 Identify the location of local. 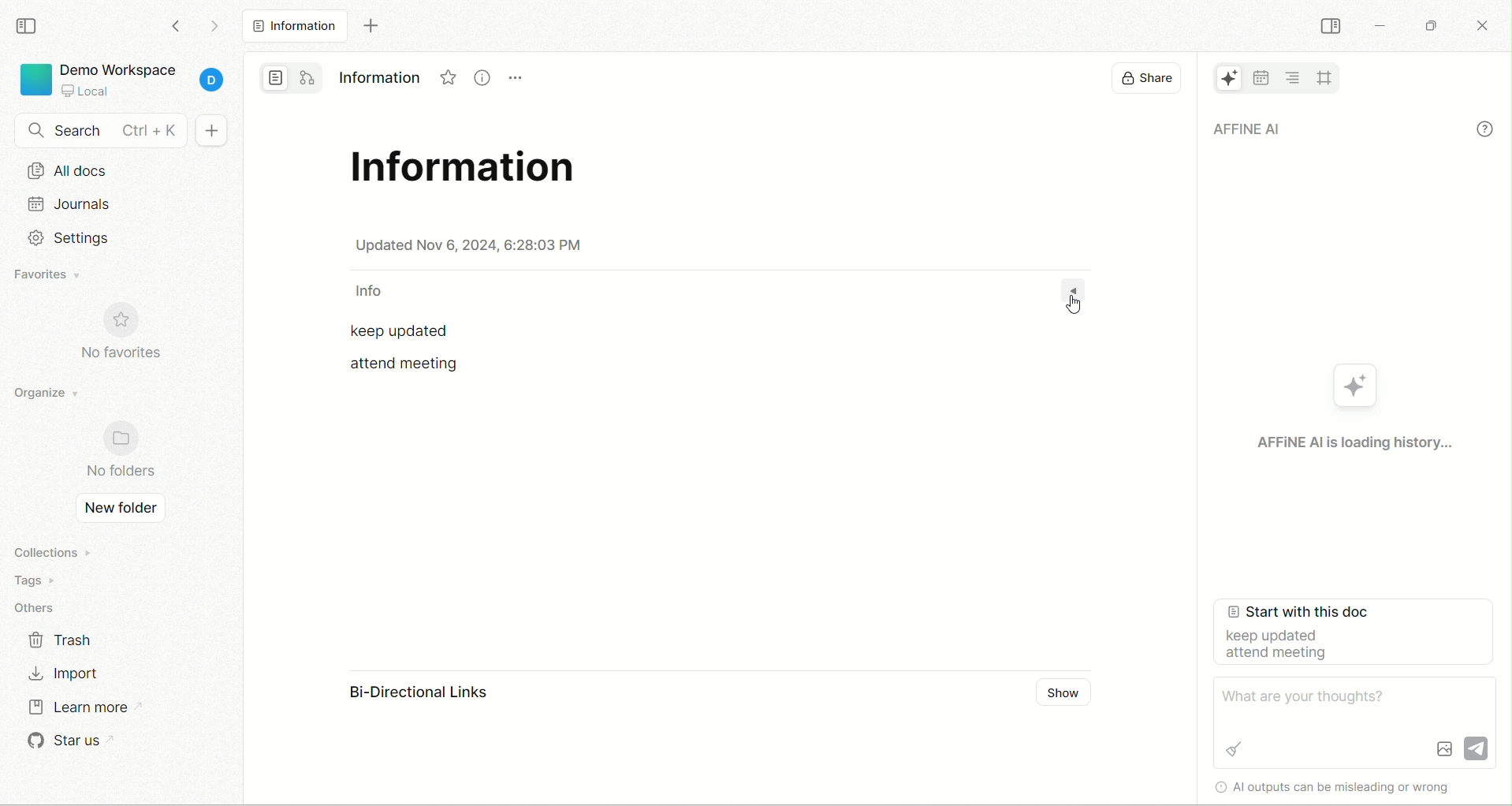
(84, 91).